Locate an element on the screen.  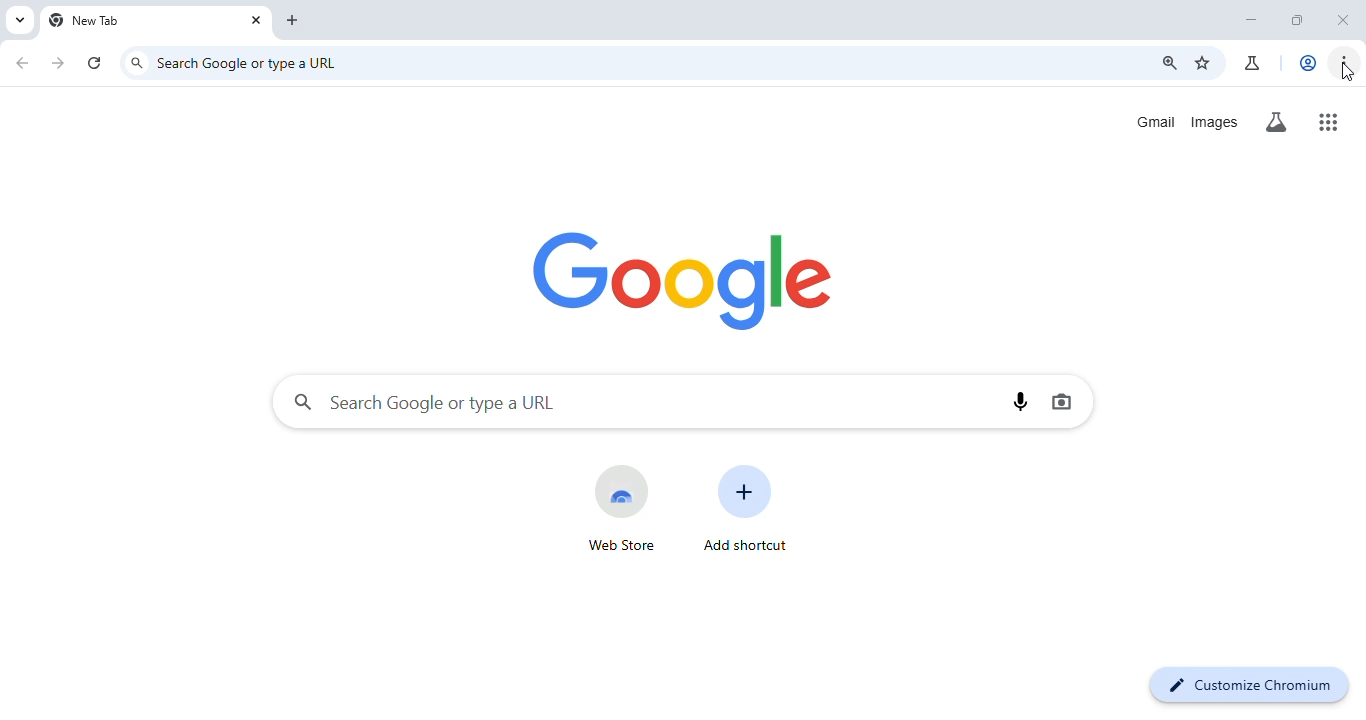
gmail is located at coordinates (1157, 121).